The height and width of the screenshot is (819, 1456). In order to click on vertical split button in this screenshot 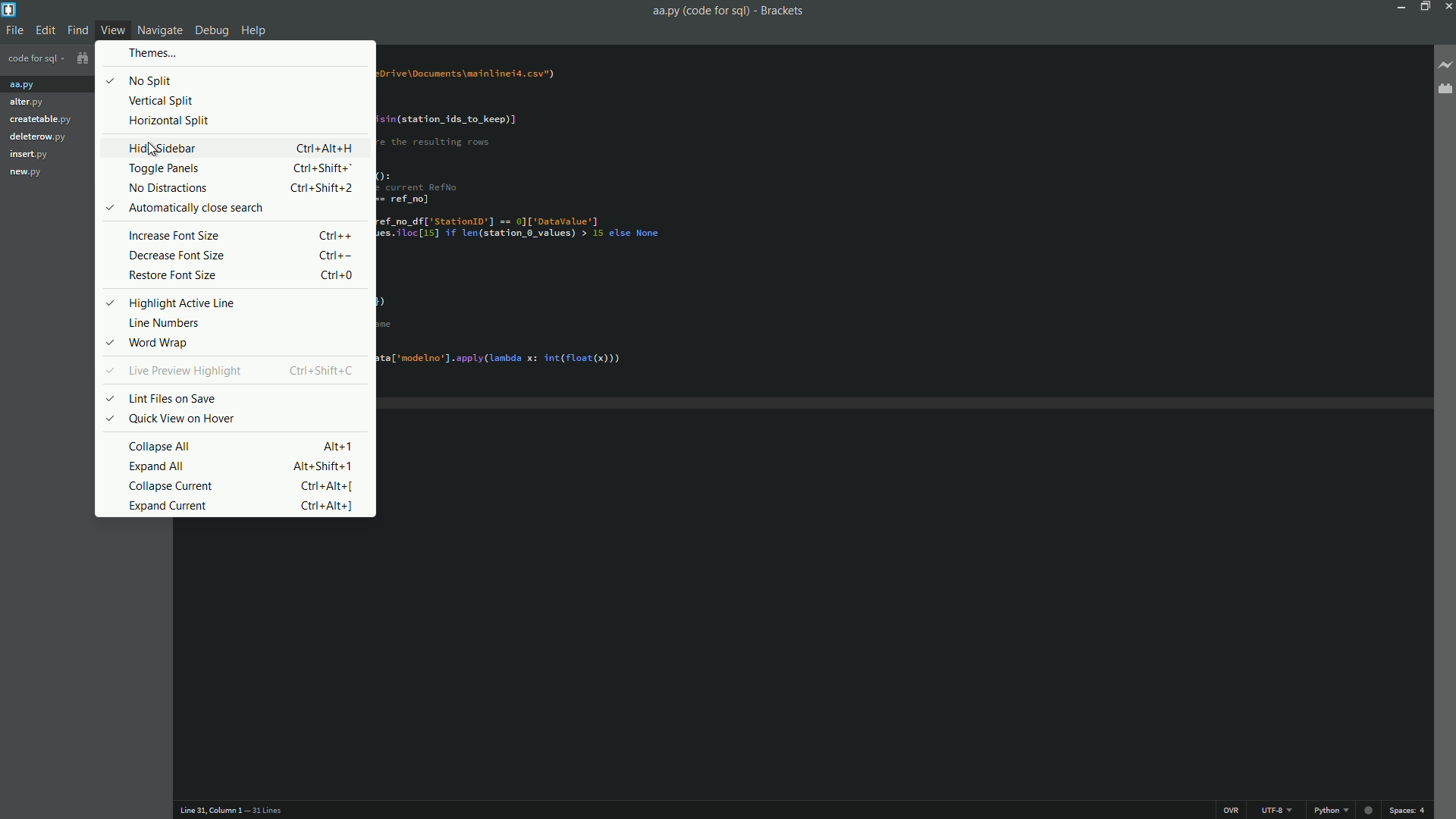, I will do `click(162, 101)`.